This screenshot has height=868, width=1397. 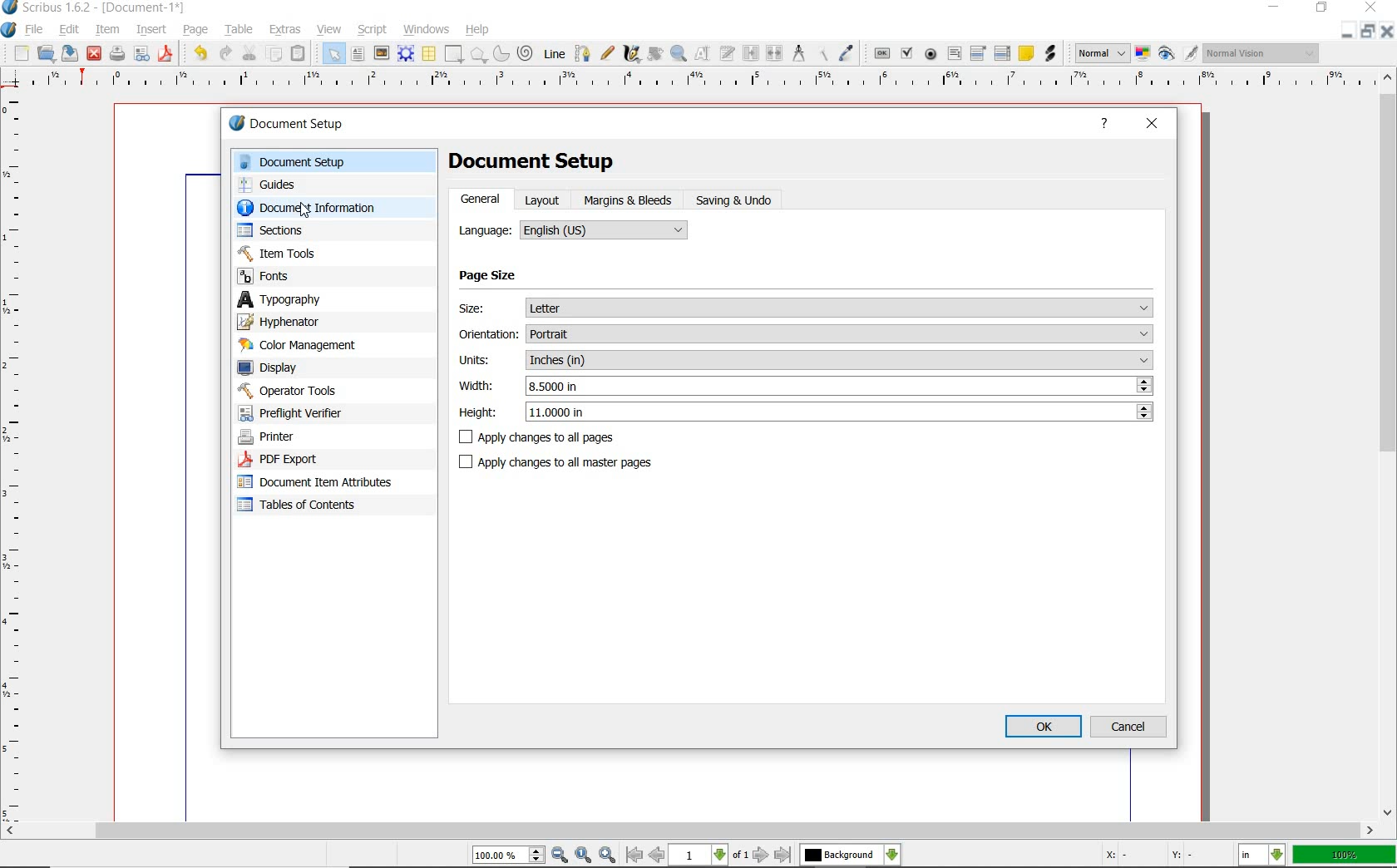 What do you see at coordinates (406, 54) in the screenshot?
I see `render frame` at bounding box center [406, 54].